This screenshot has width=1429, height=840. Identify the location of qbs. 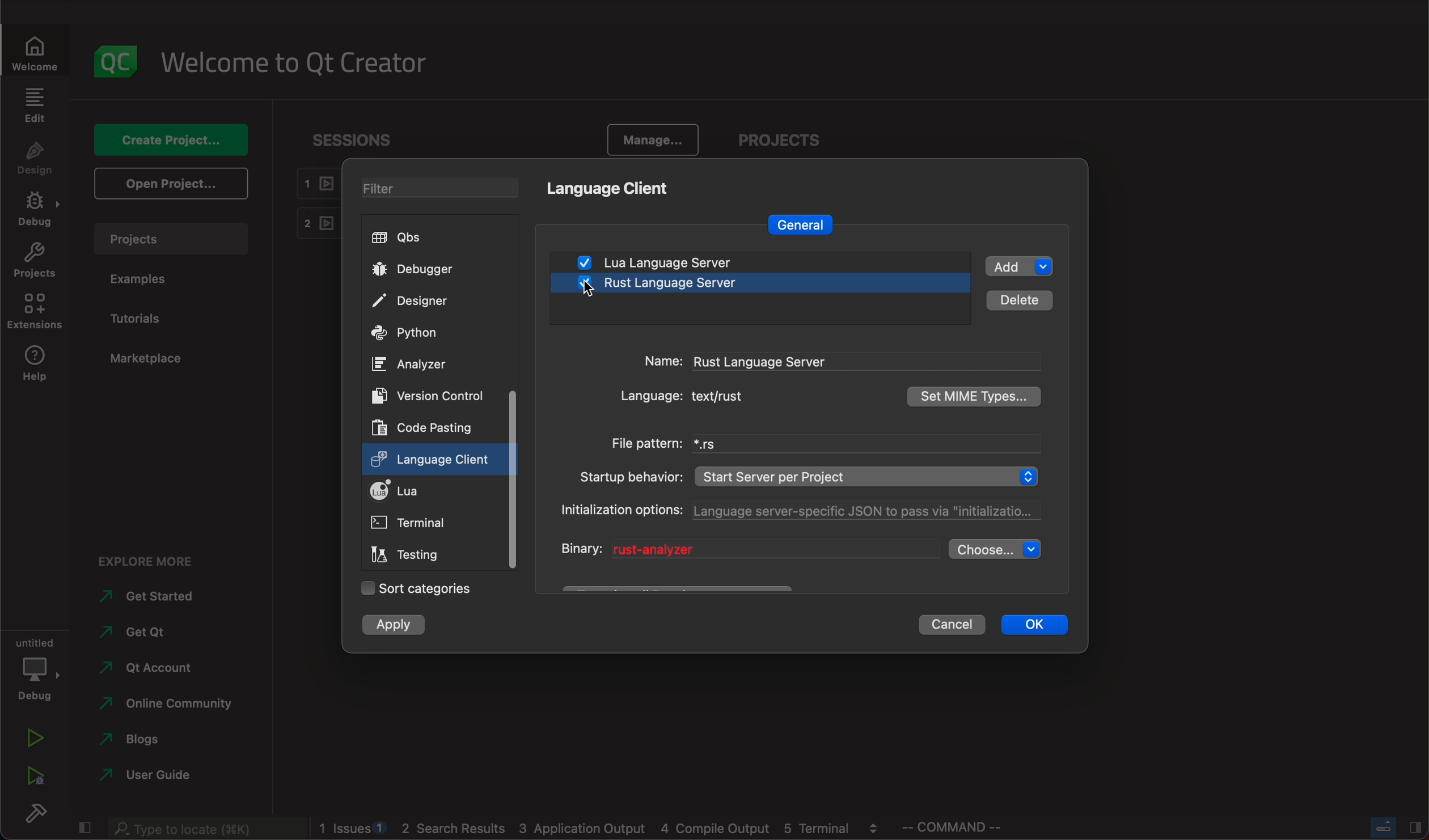
(412, 239).